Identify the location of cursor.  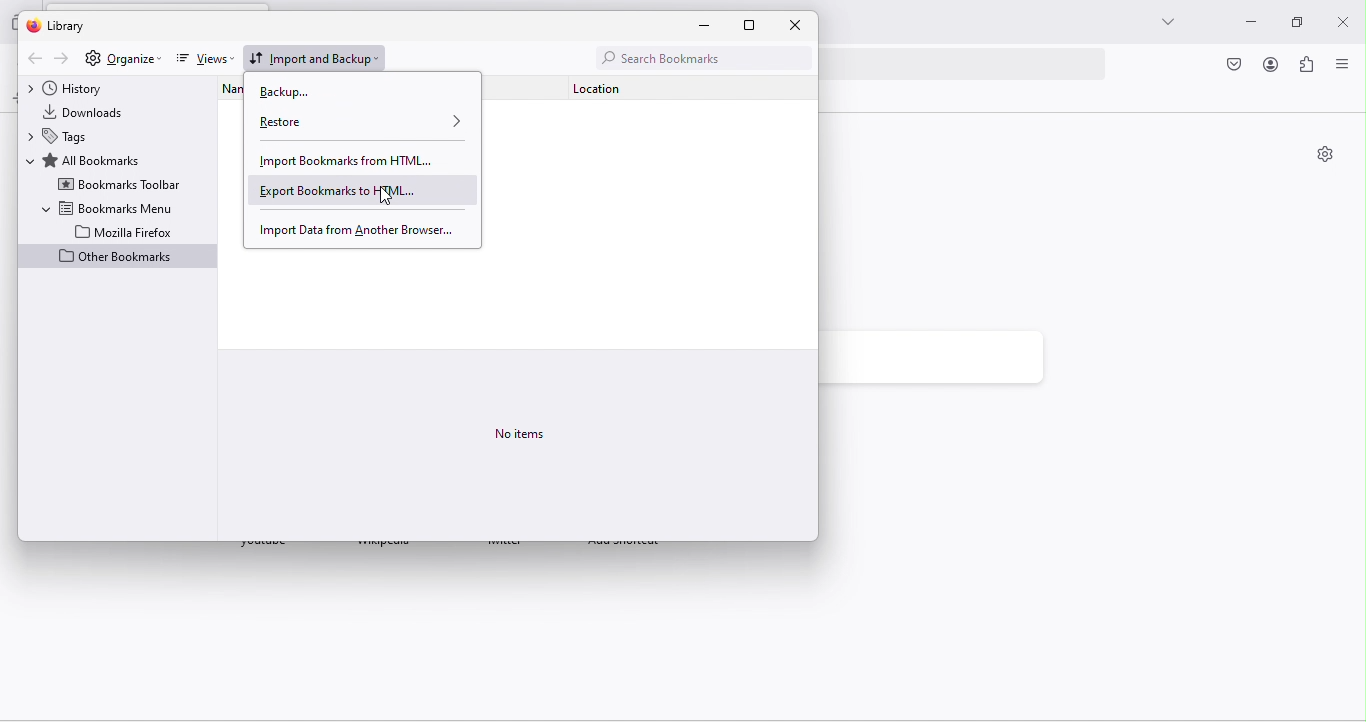
(388, 198).